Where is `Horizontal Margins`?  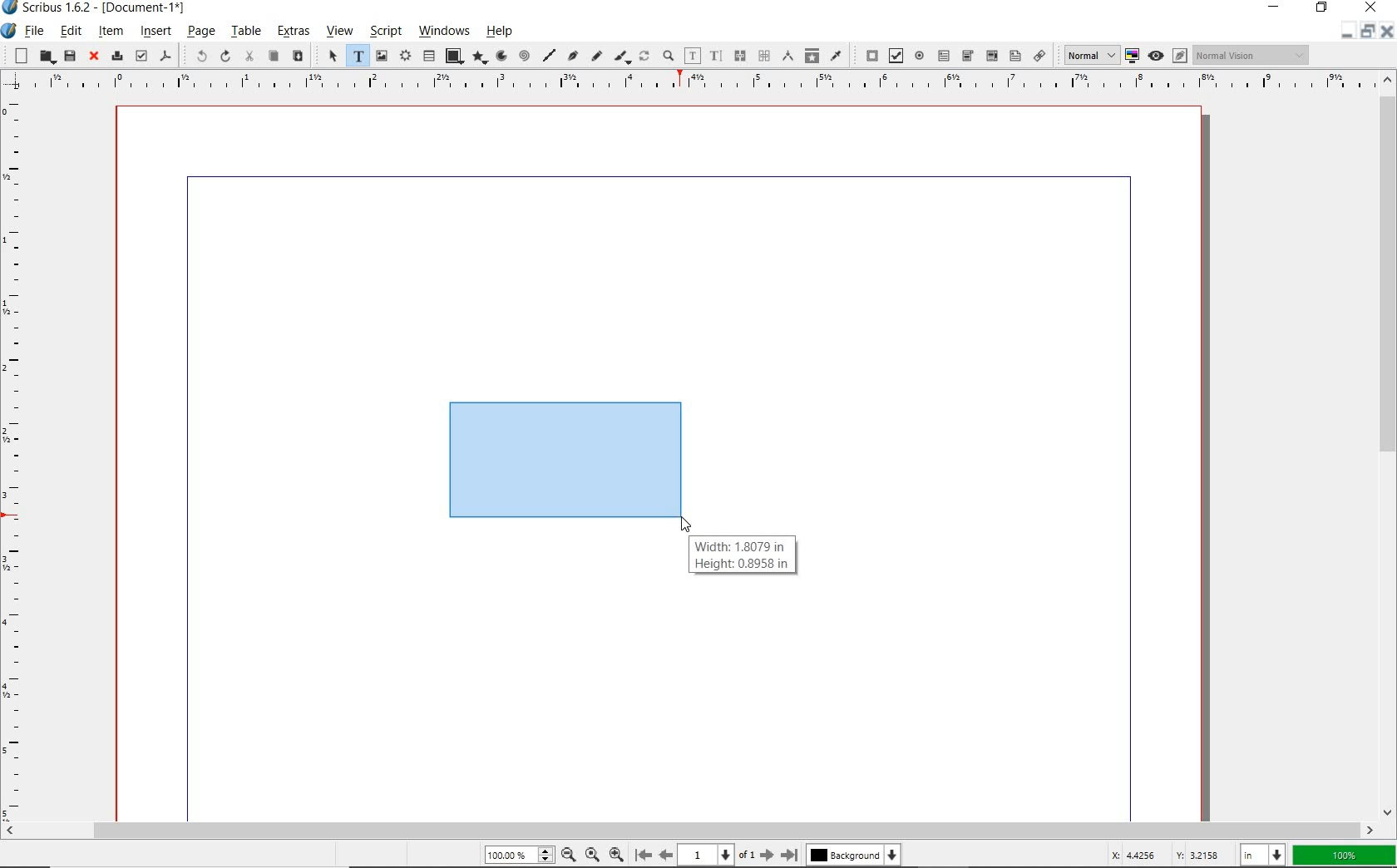
Horizontal Margins is located at coordinates (698, 81).